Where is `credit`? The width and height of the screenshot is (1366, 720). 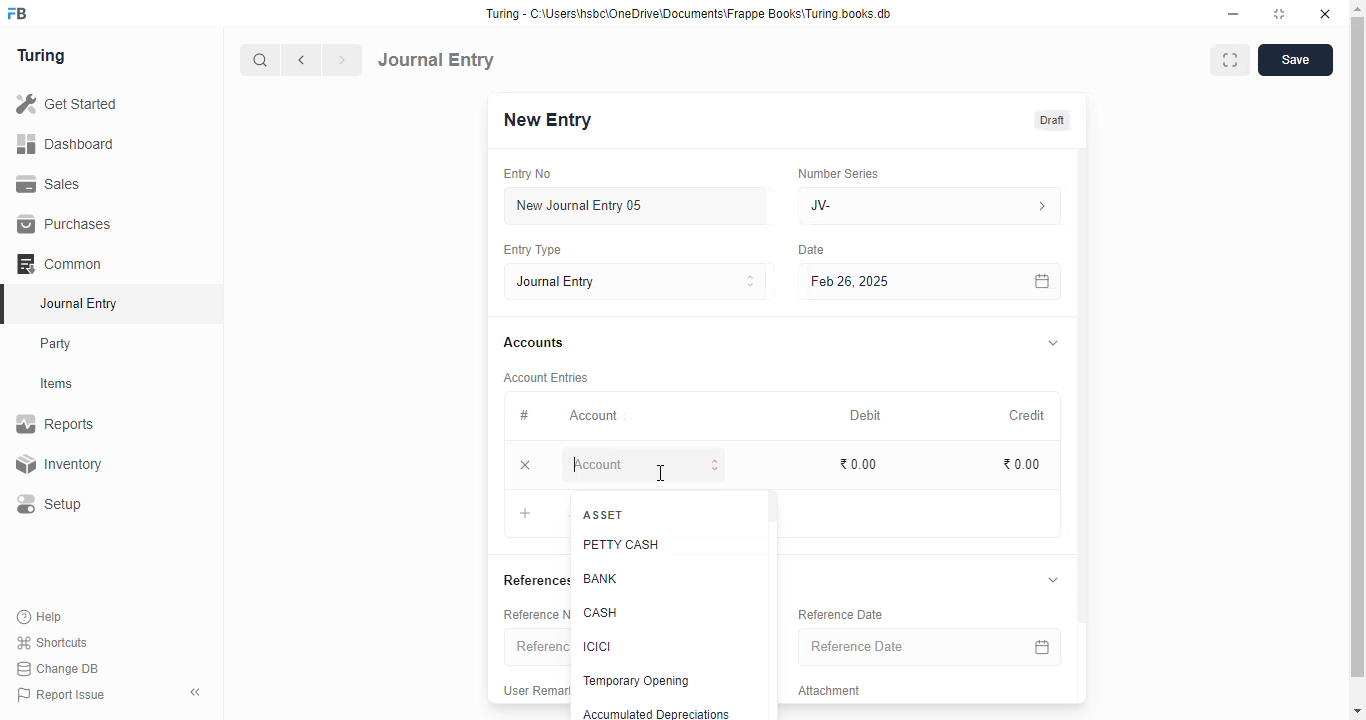
credit is located at coordinates (1025, 415).